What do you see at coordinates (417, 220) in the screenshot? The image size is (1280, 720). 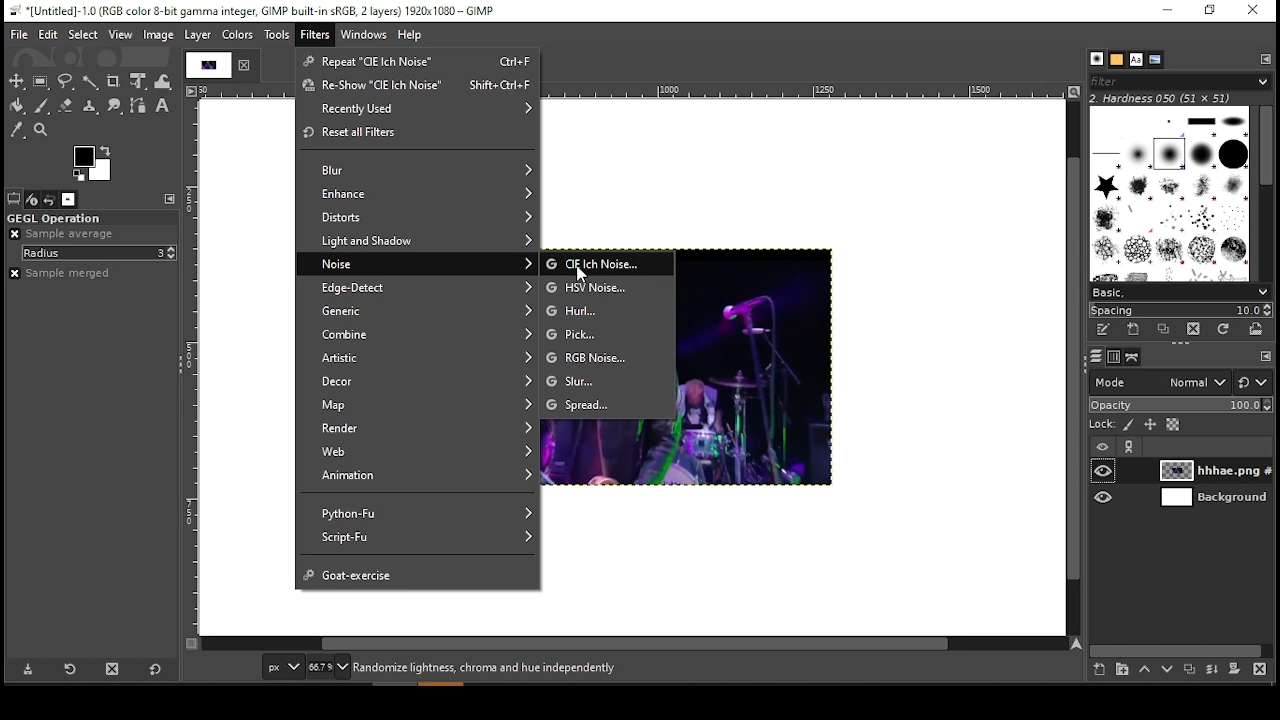 I see `distorts` at bounding box center [417, 220].